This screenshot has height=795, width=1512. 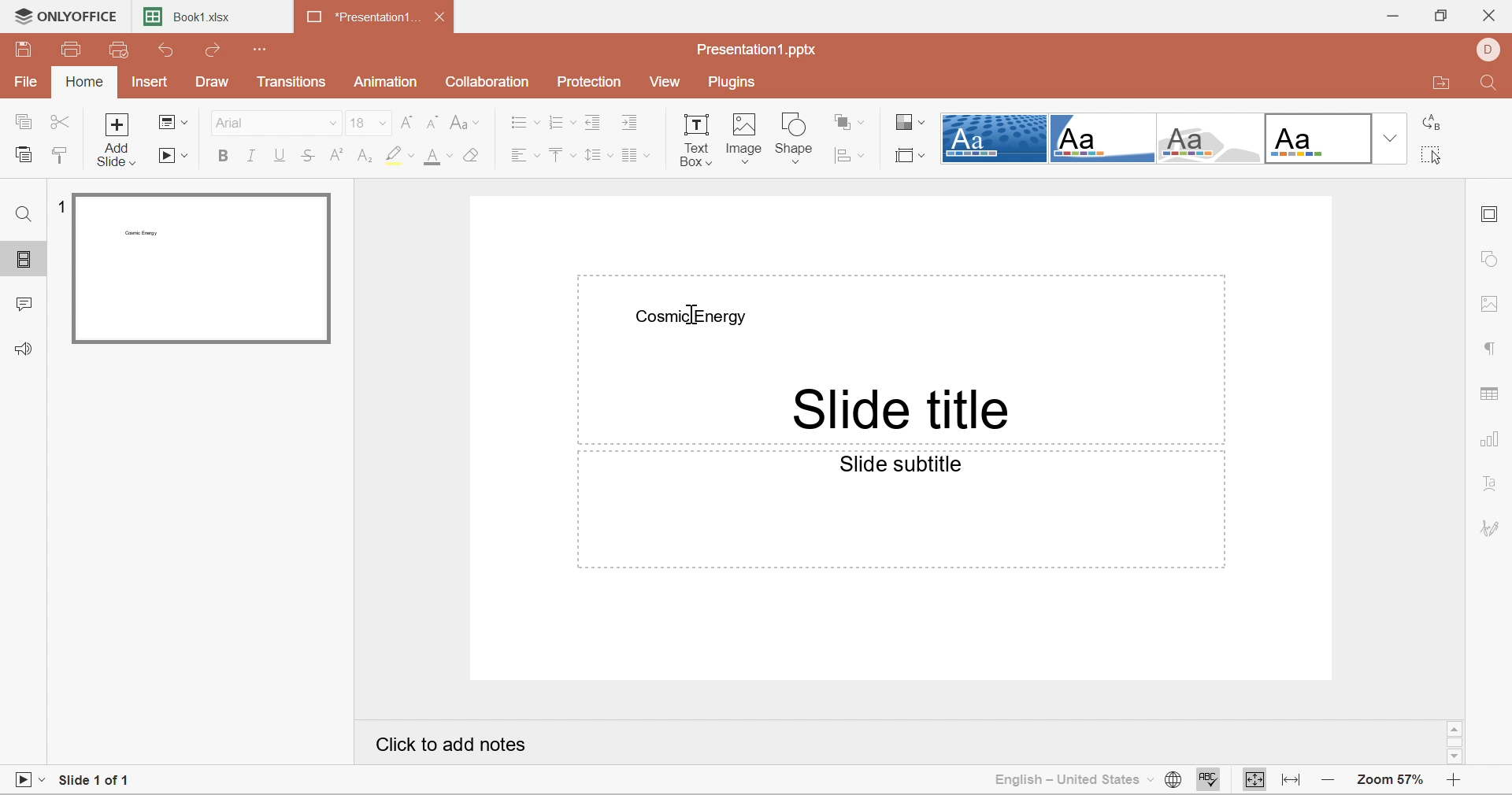 What do you see at coordinates (521, 123) in the screenshot?
I see `Bullets` at bounding box center [521, 123].